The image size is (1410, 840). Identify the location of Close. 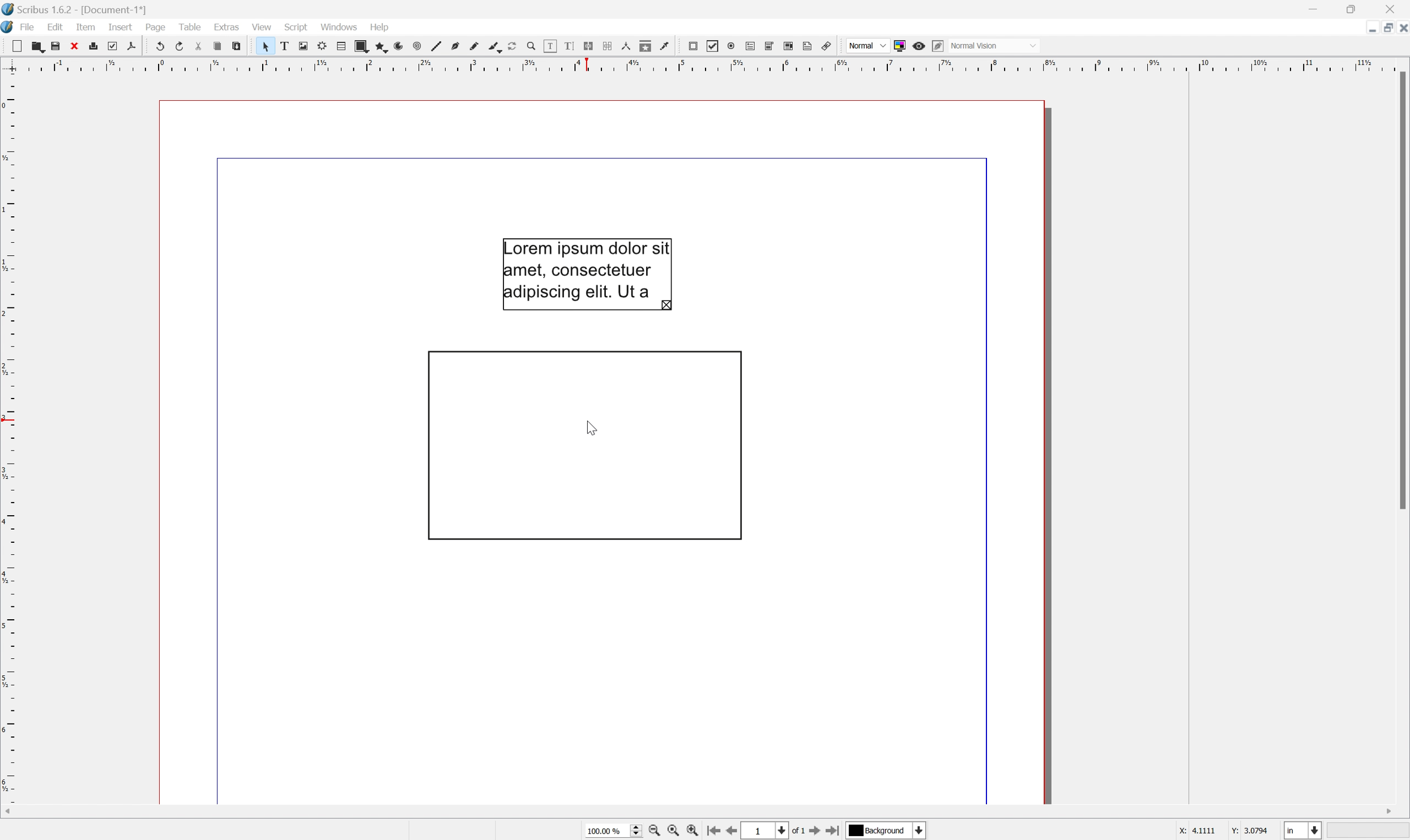
(1401, 27).